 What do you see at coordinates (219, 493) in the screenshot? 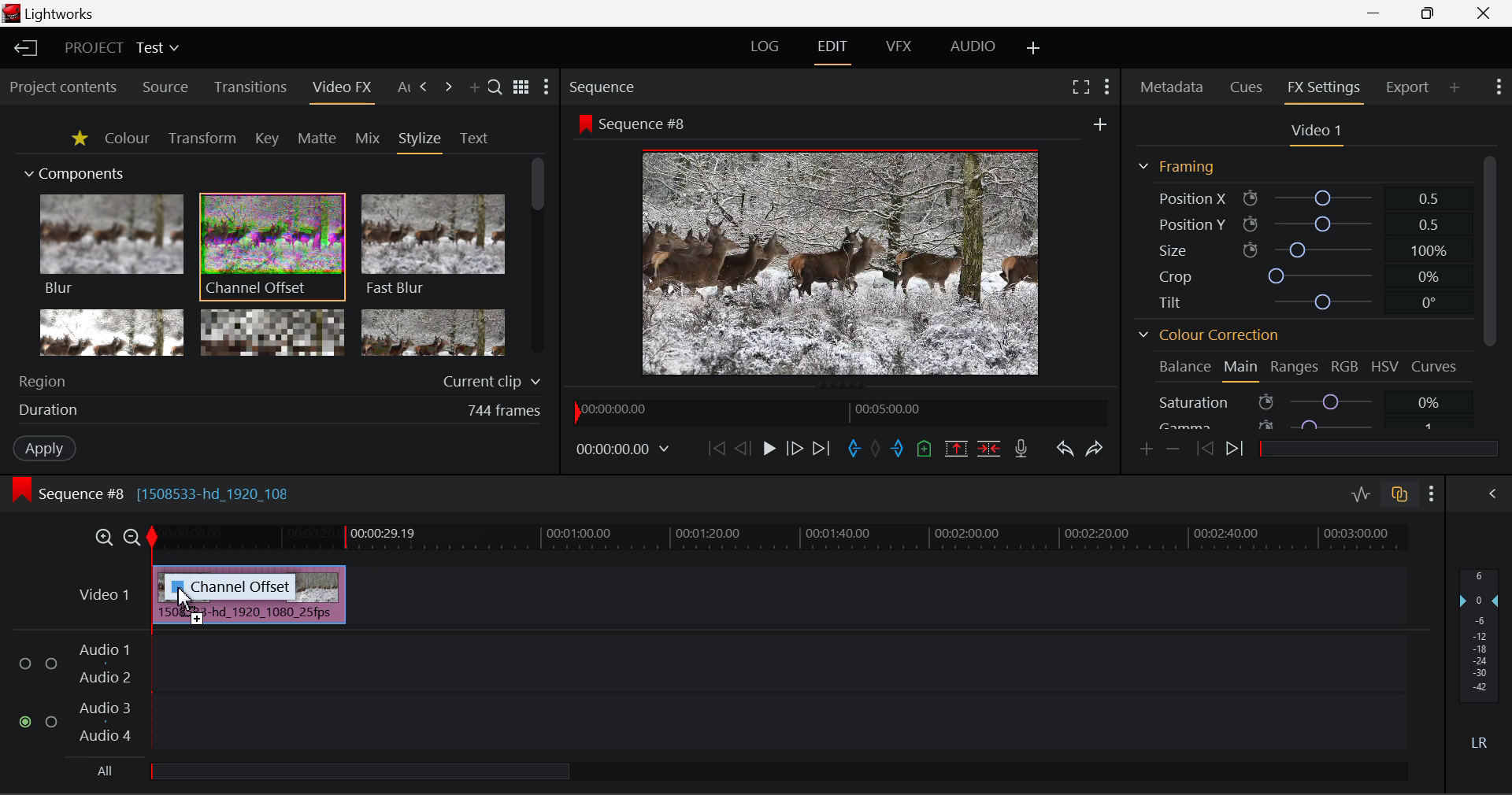
I see `[1508533-hd_1920_108` at bounding box center [219, 493].